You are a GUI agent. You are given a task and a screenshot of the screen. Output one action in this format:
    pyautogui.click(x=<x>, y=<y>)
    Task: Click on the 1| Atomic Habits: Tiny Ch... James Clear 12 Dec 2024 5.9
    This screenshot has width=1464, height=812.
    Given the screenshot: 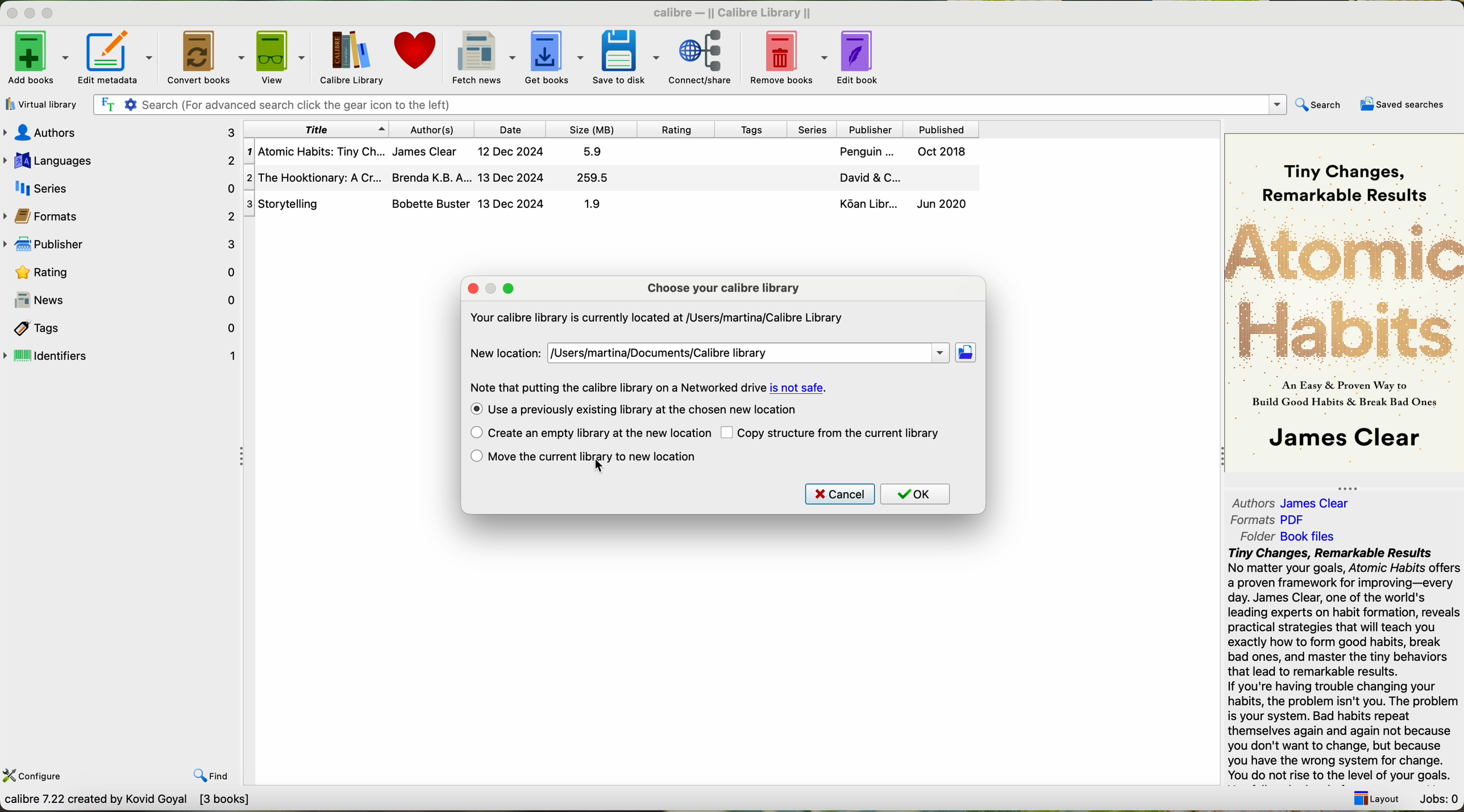 What is the action you would take?
    pyautogui.click(x=431, y=153)
    